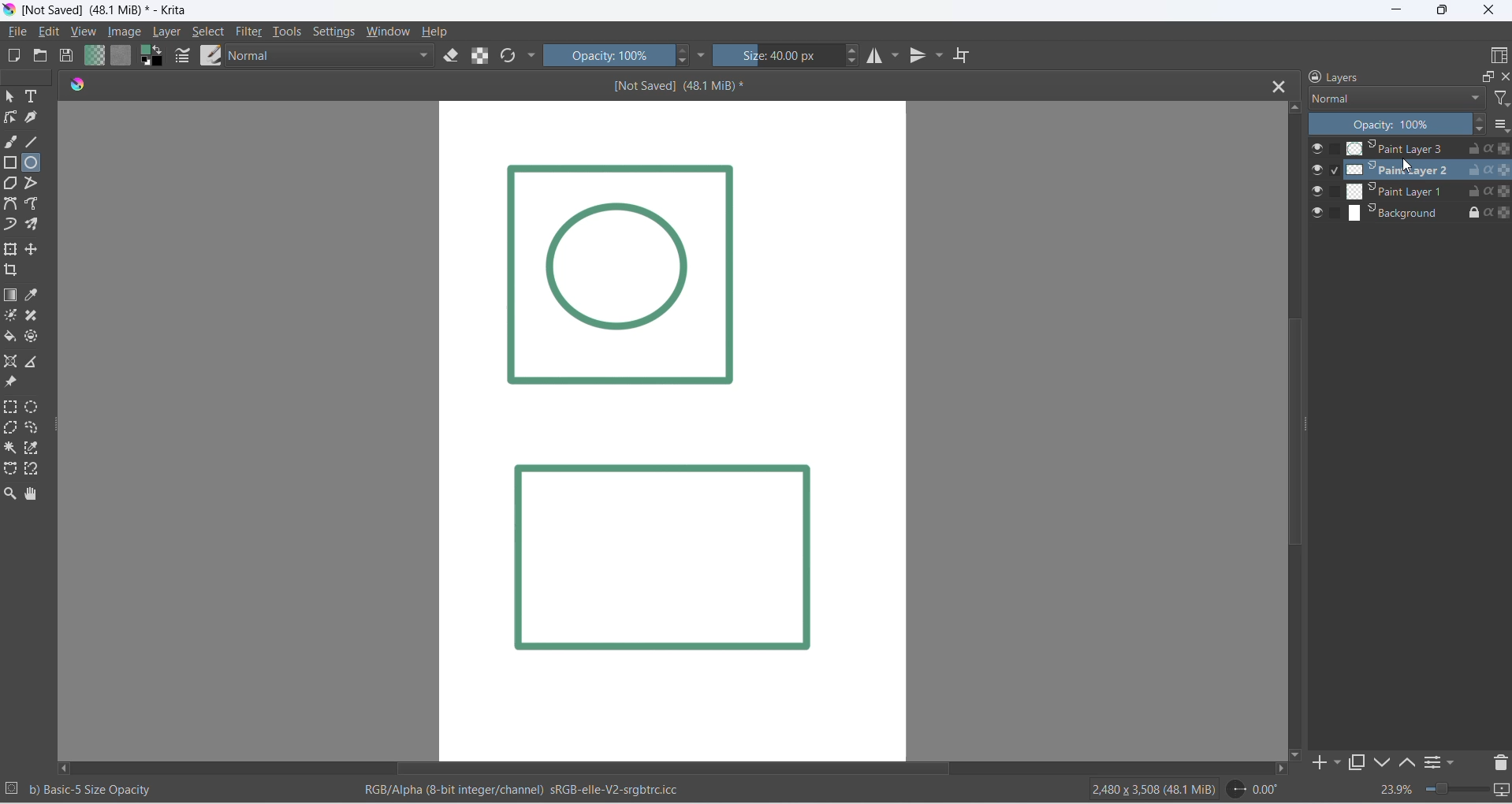  I want to click on b) Basic - 5 Size Opacity, so click(99, 791).